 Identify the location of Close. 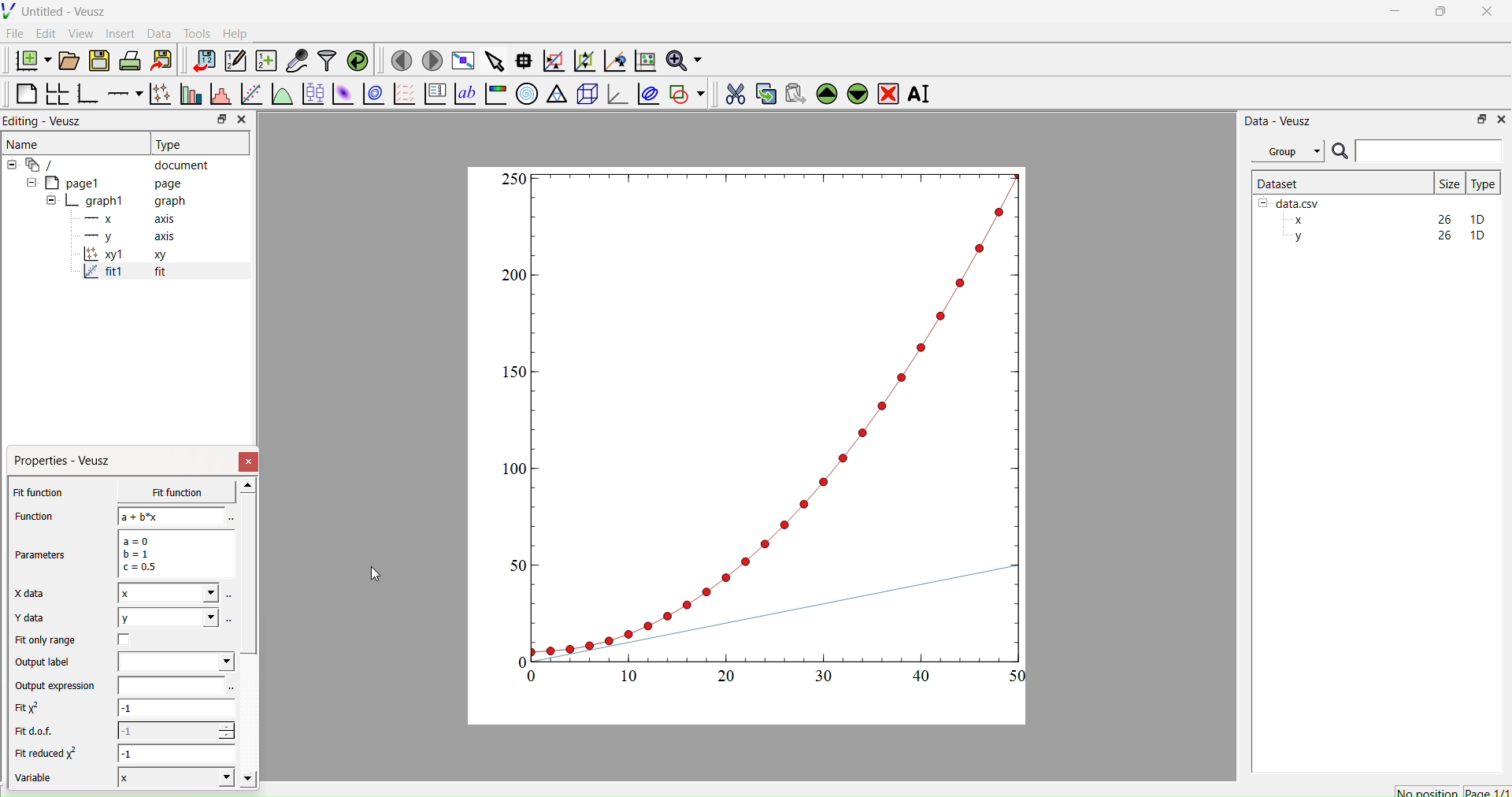
(241, 120).